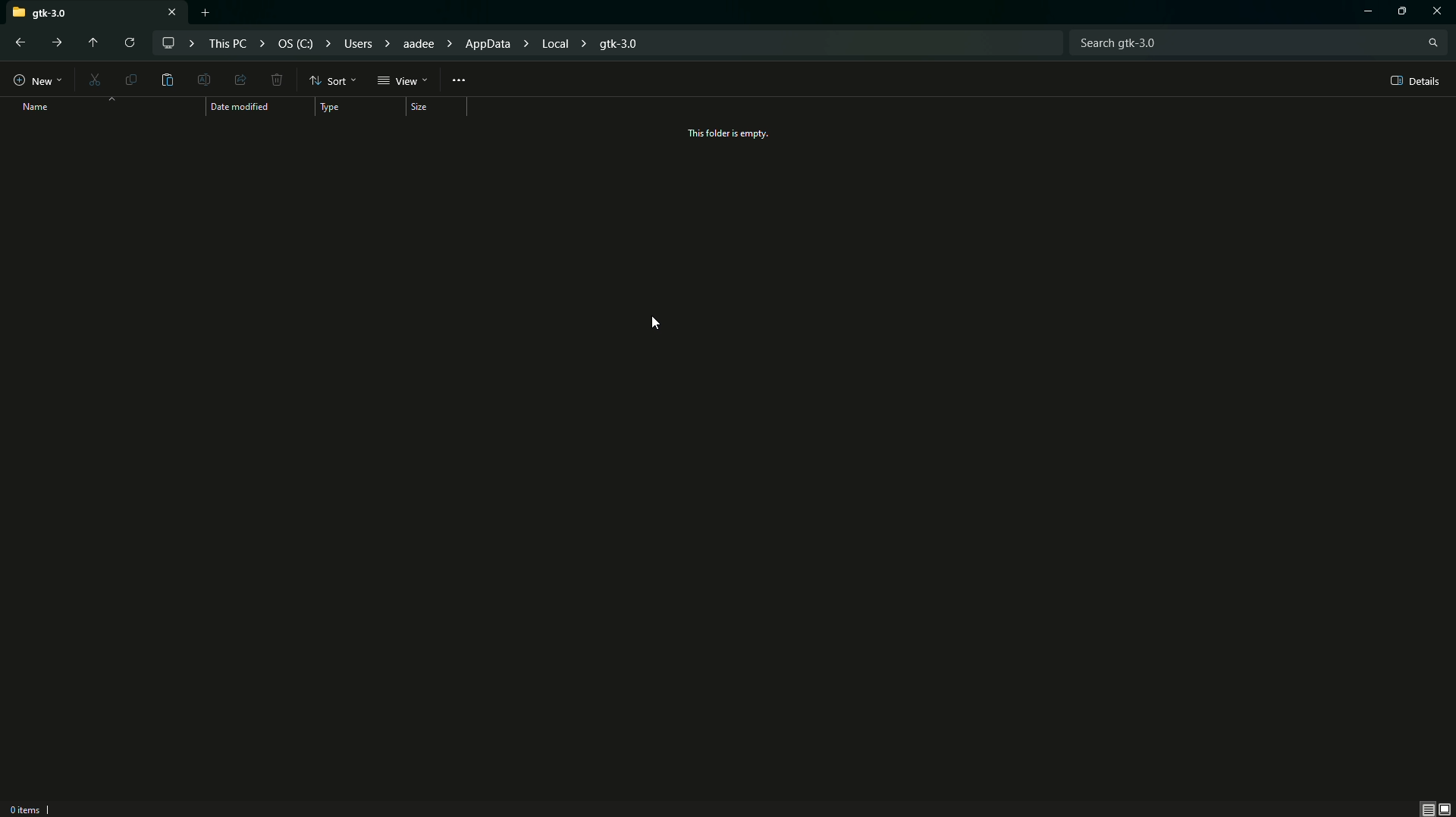  What do you see at coordinates (205, 13) in the screenshot?
I see `New tab` at bounding box center [205, 13].